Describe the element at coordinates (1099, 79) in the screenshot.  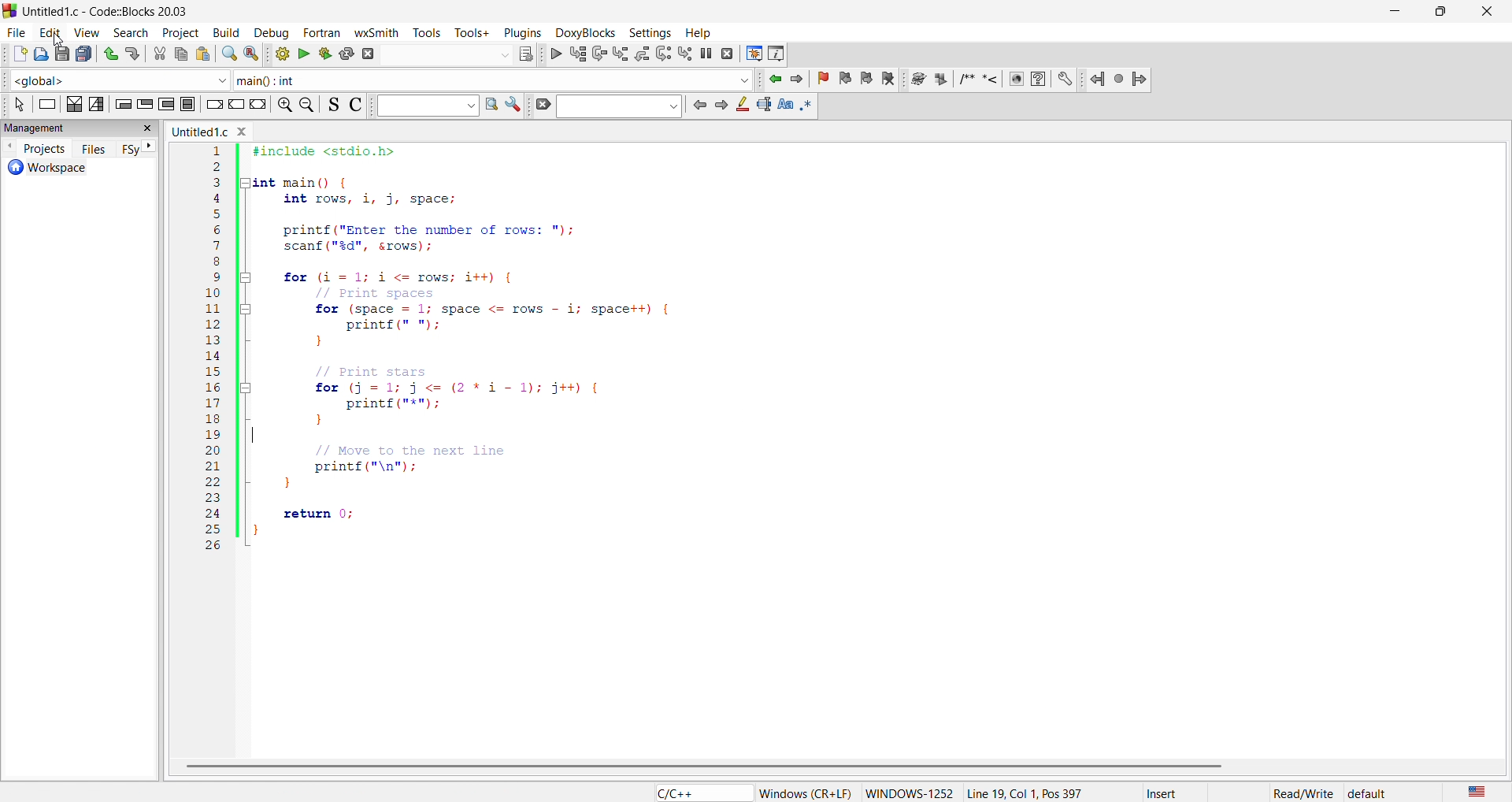
I see `jump back` at that location.